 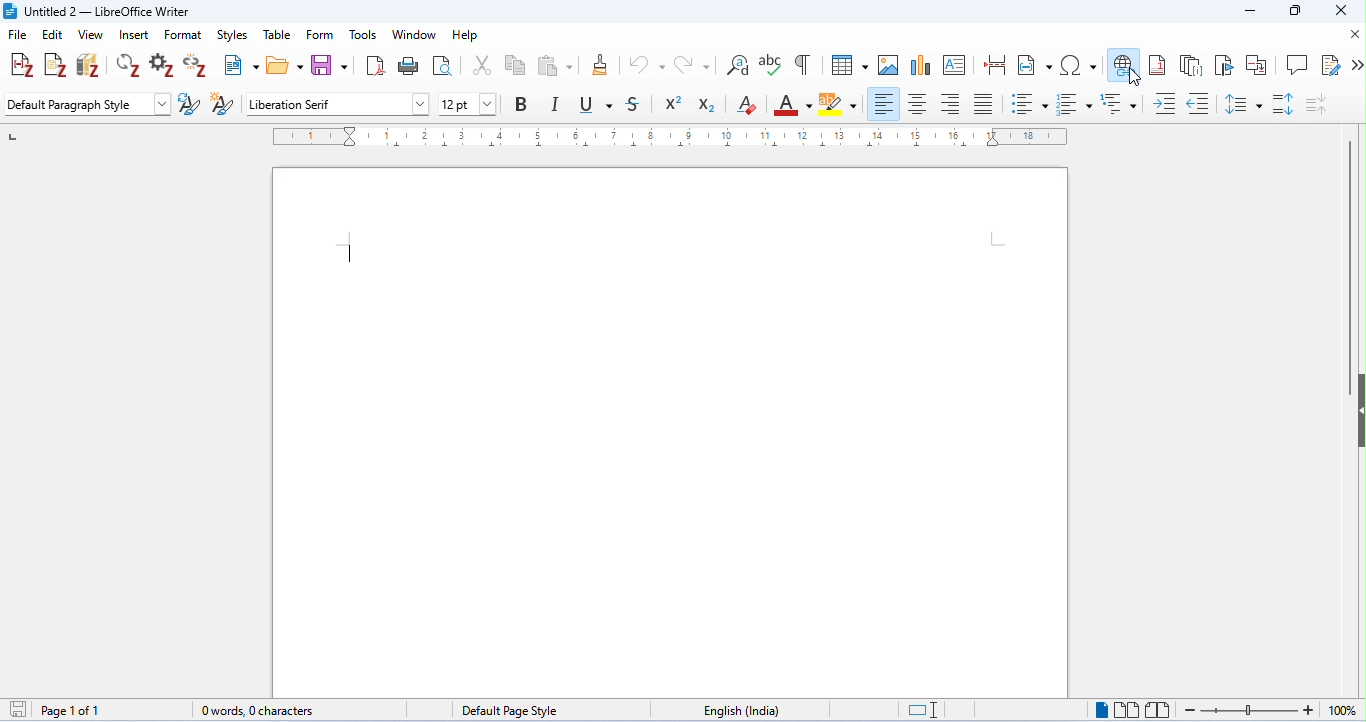 What do you see at coordinates (1248, 12) in the screenshot?
I see `minimize` at bounding box center [1248, 12].